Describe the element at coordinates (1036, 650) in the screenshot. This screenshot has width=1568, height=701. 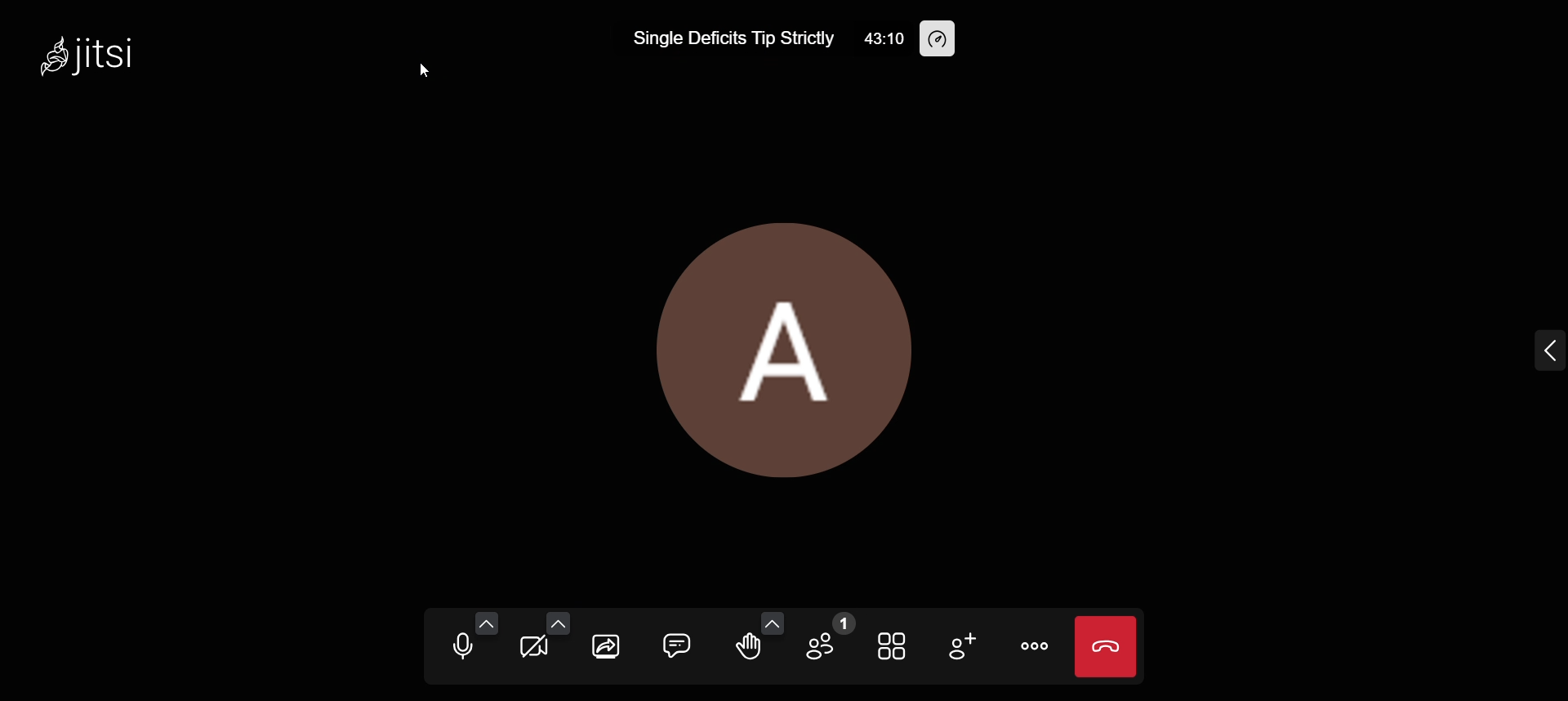
I see `more actions` at that location.